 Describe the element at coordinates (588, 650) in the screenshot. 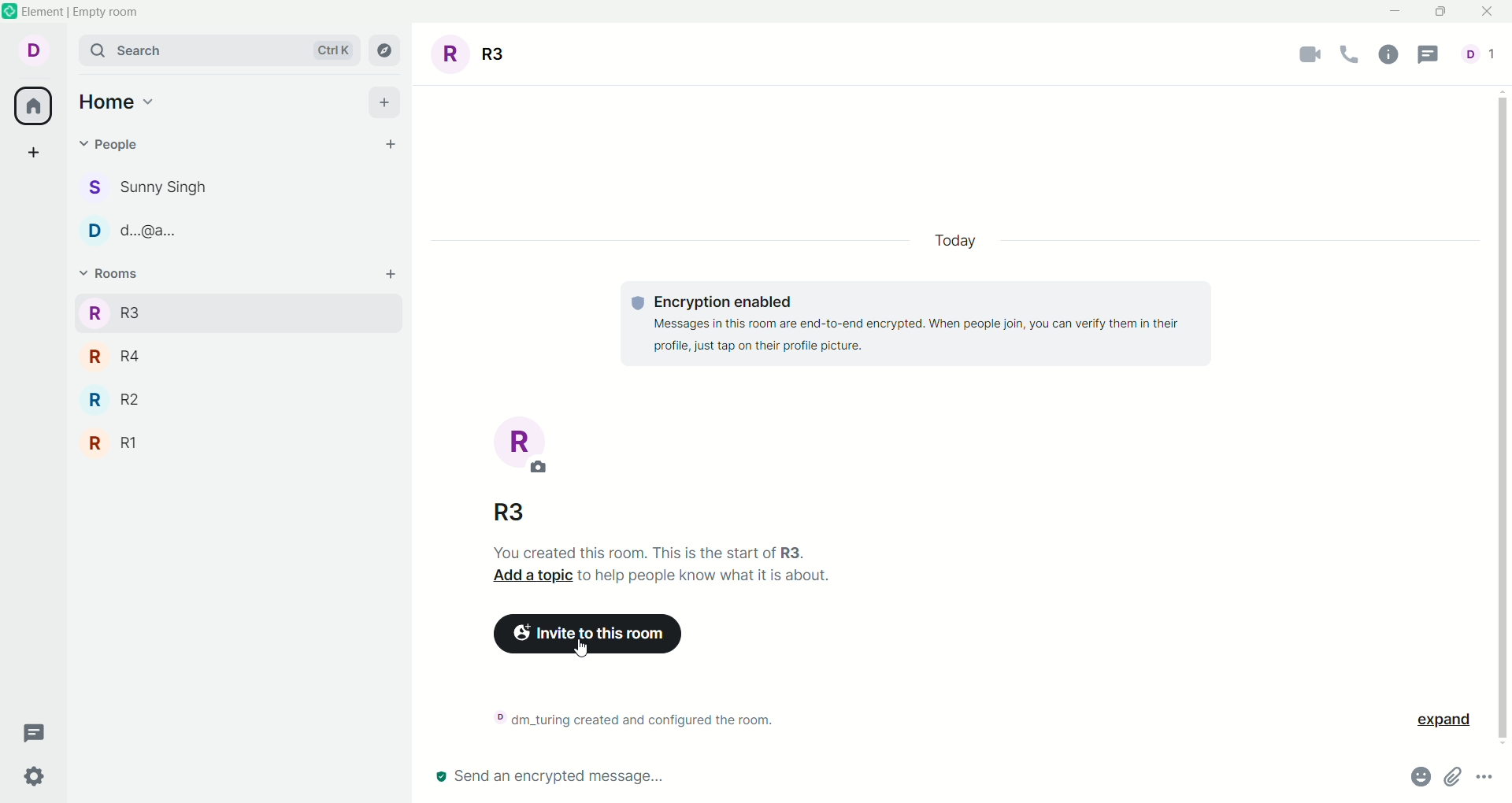

I see `pointer cursor` at that location.